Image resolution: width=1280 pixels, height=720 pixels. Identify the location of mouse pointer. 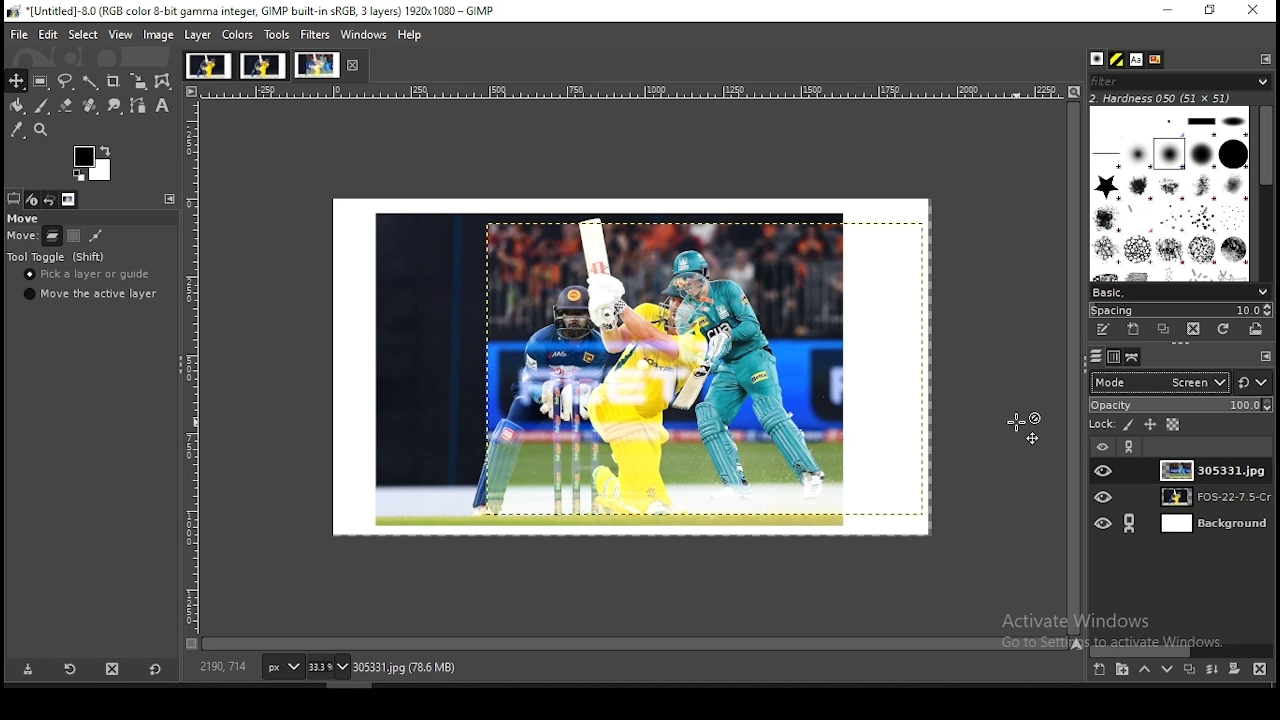
(1024, 428).